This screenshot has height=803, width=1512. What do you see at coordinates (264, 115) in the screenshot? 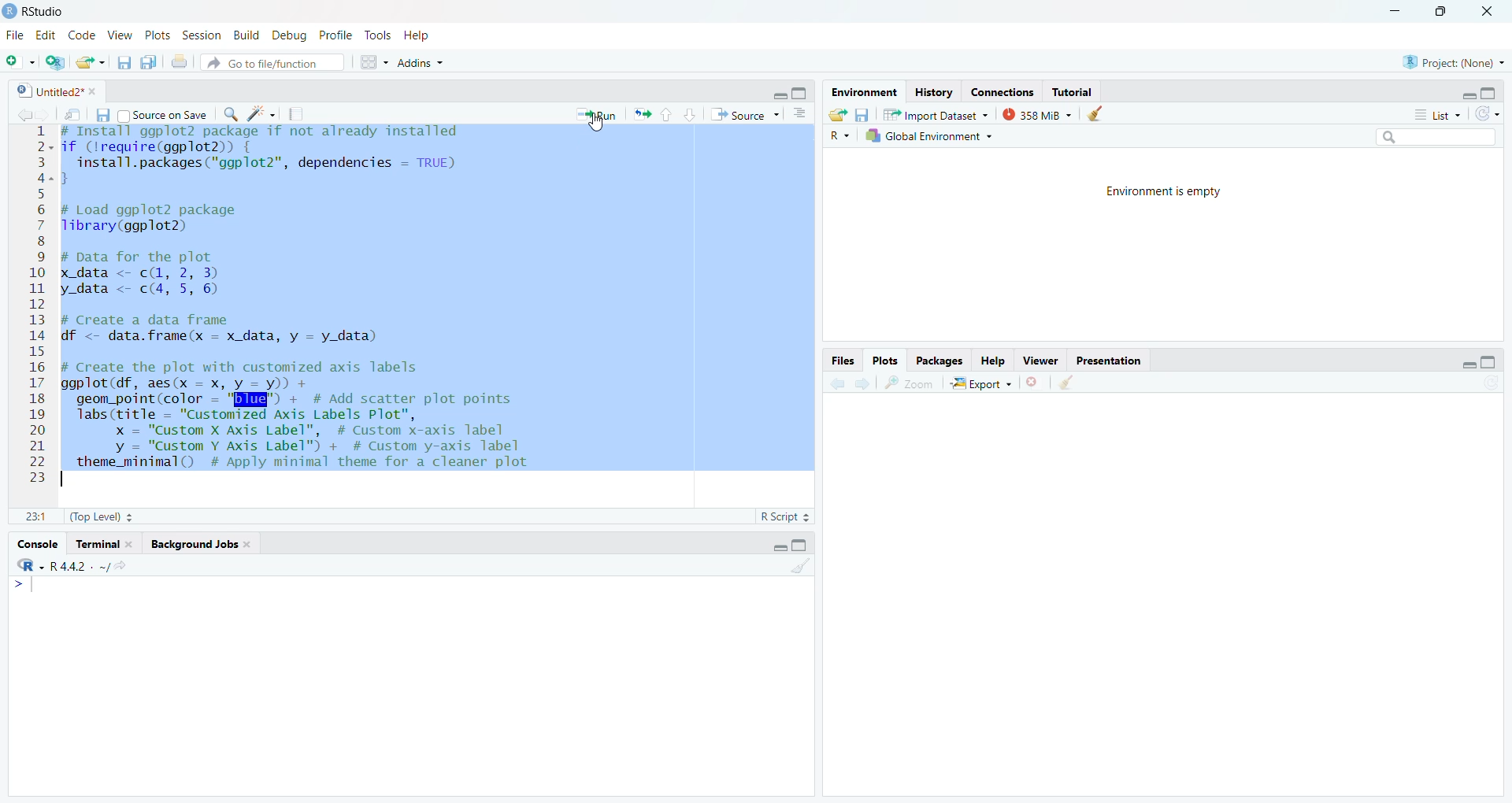
I see `spark` at bounding box center [264, 115].